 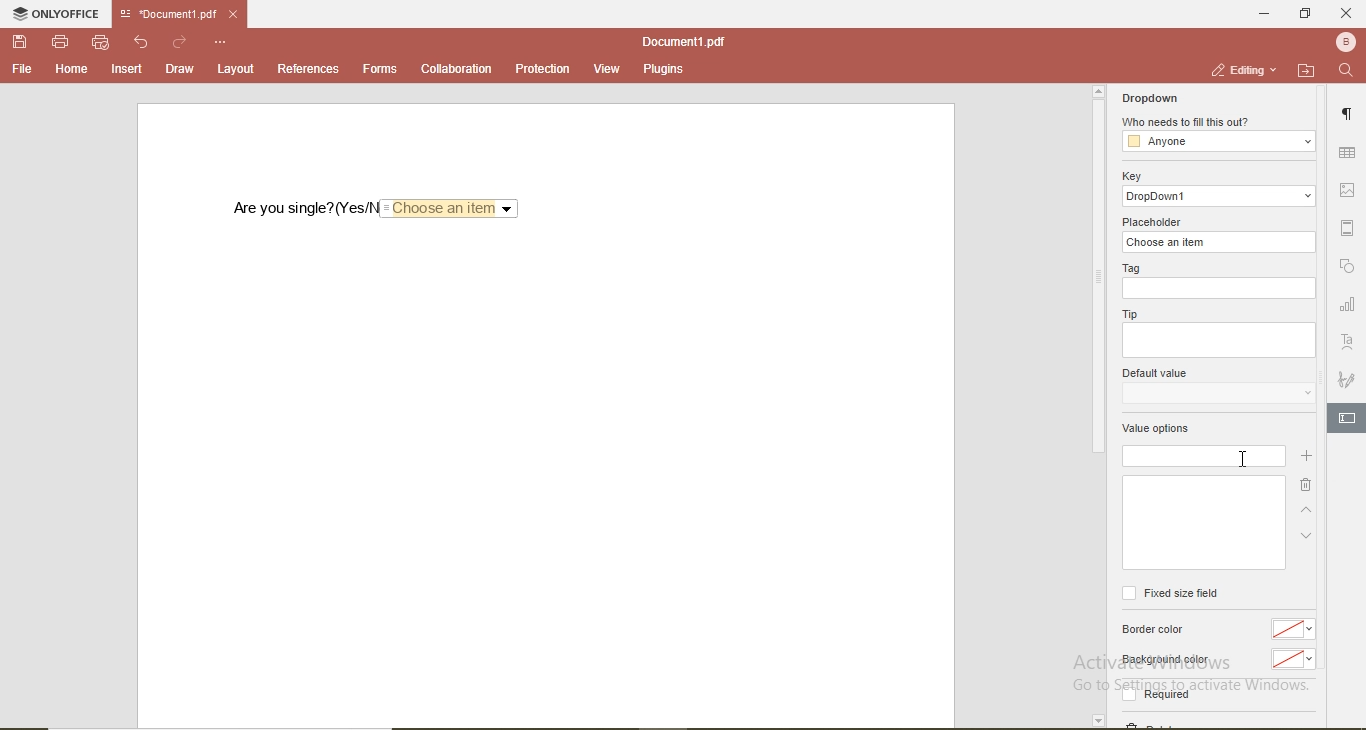 I want to click on print, so click(x=62, y=43).